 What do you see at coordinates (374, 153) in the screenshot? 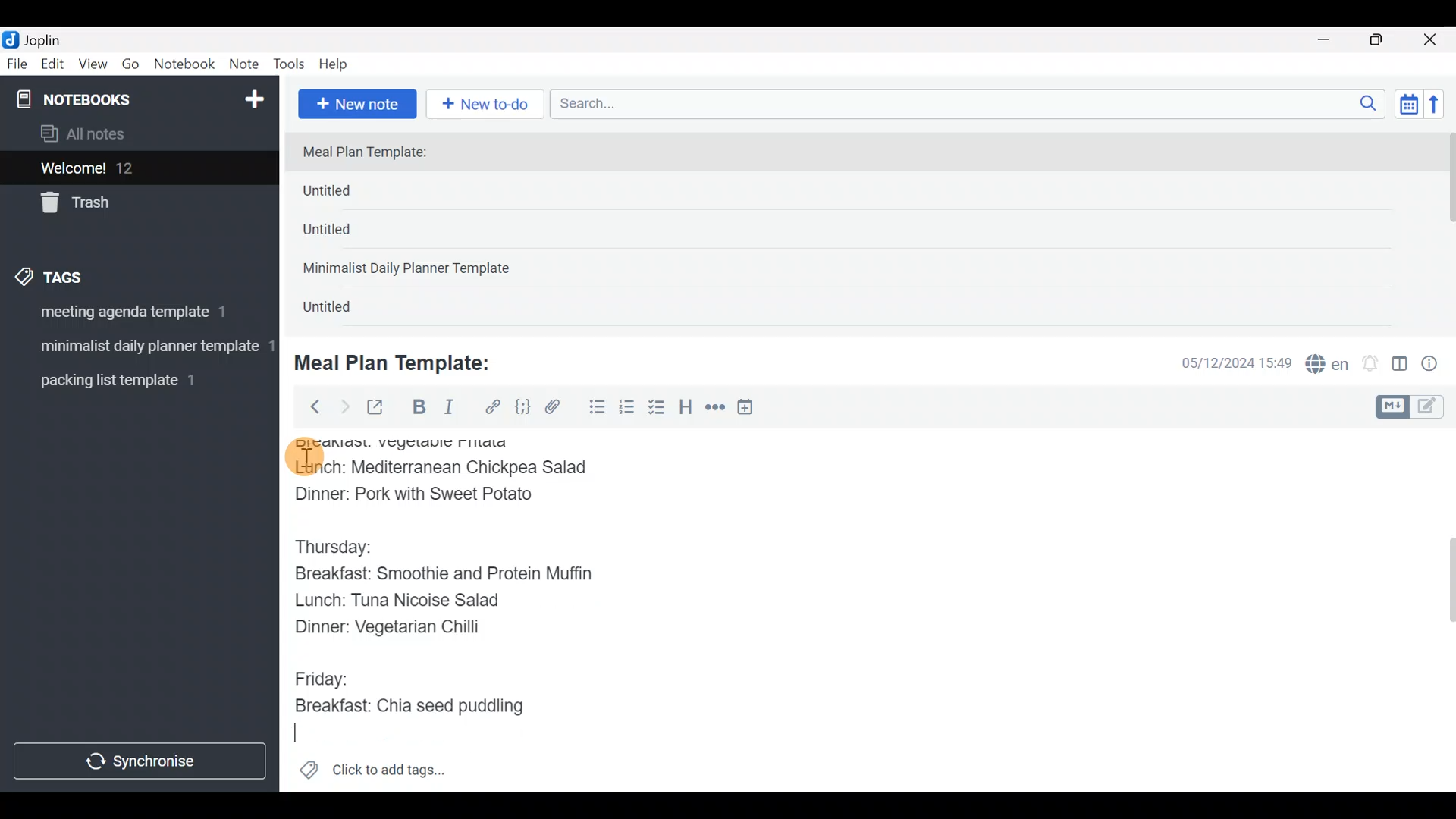
I see `Meal Plan Template:` at bounding box center [374, 153].